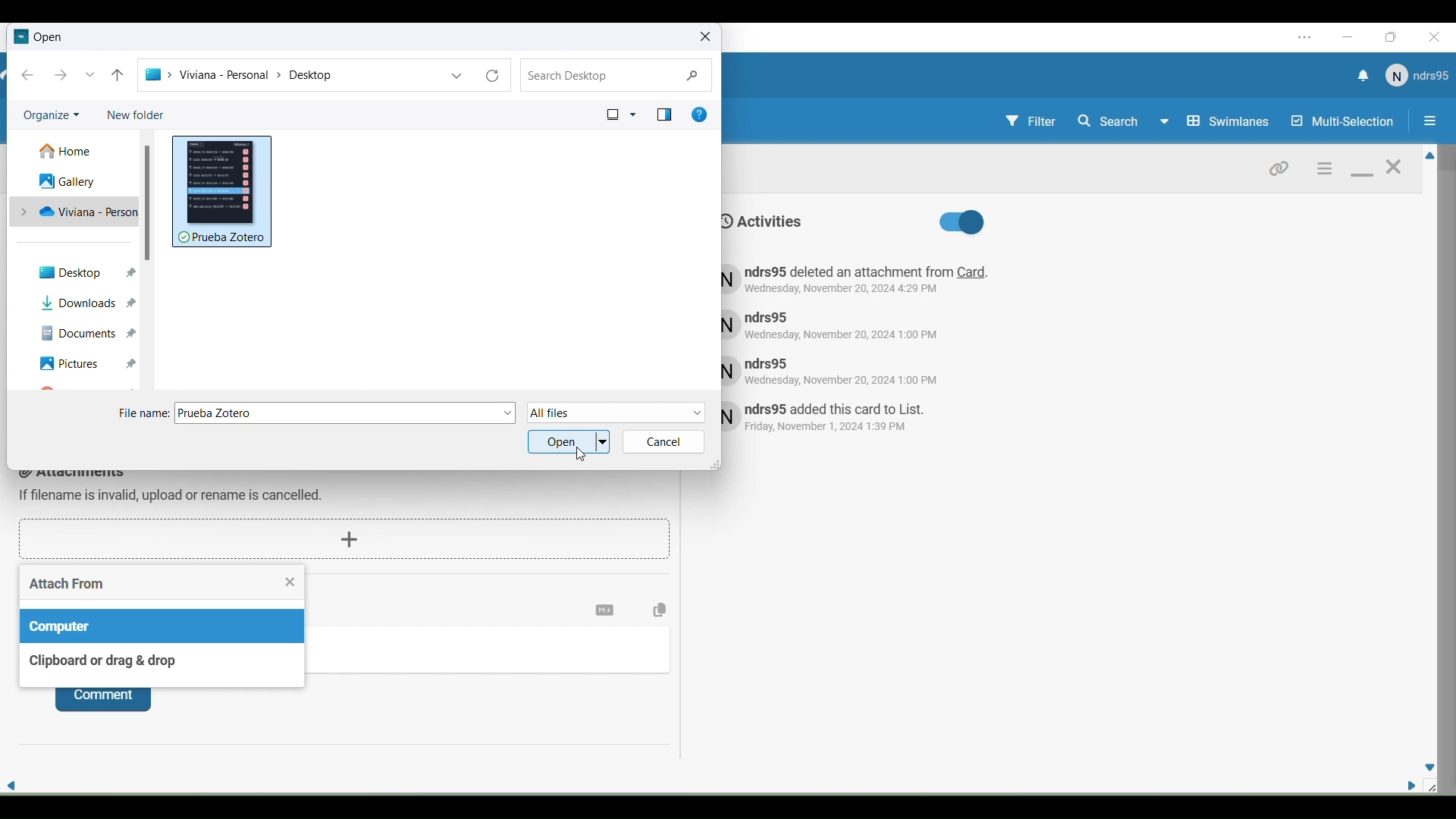 The height and width of the screenshot is (819, 1456). I want to click on Close, so click(1394, 171).